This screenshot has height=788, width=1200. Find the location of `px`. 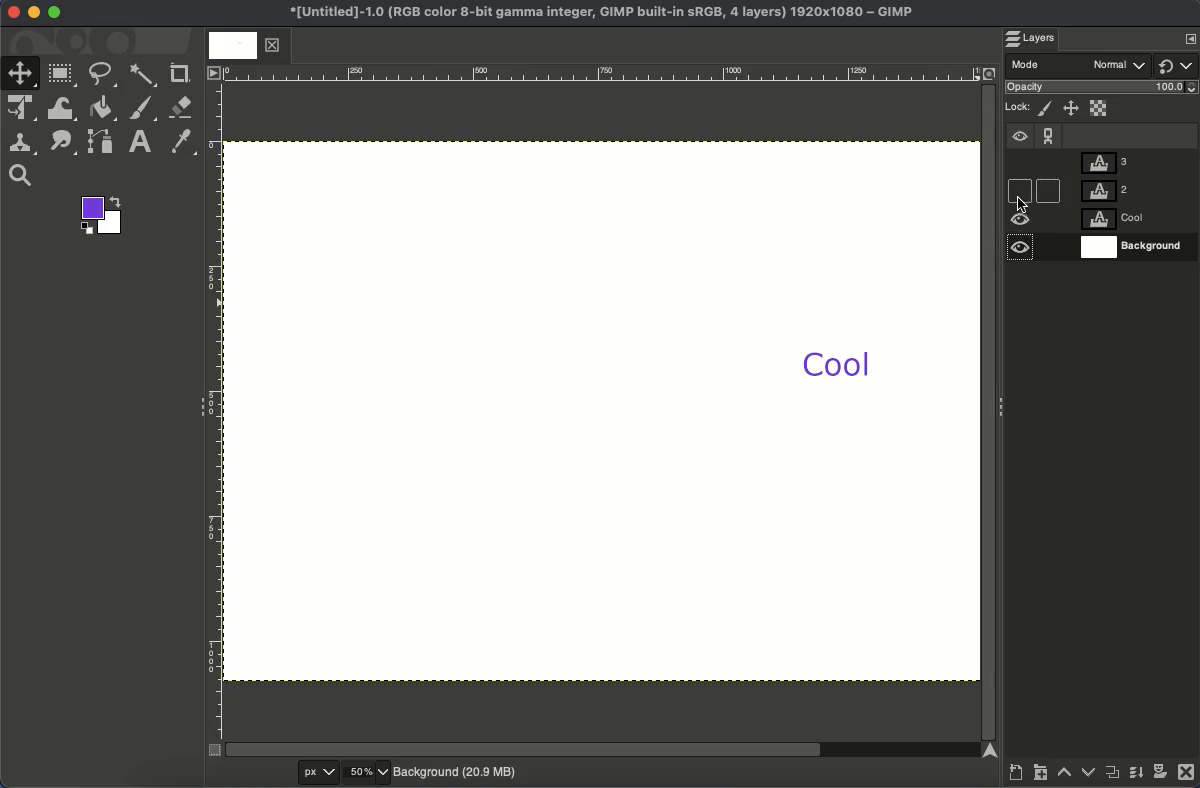

px is located at coordinates (303, 772).